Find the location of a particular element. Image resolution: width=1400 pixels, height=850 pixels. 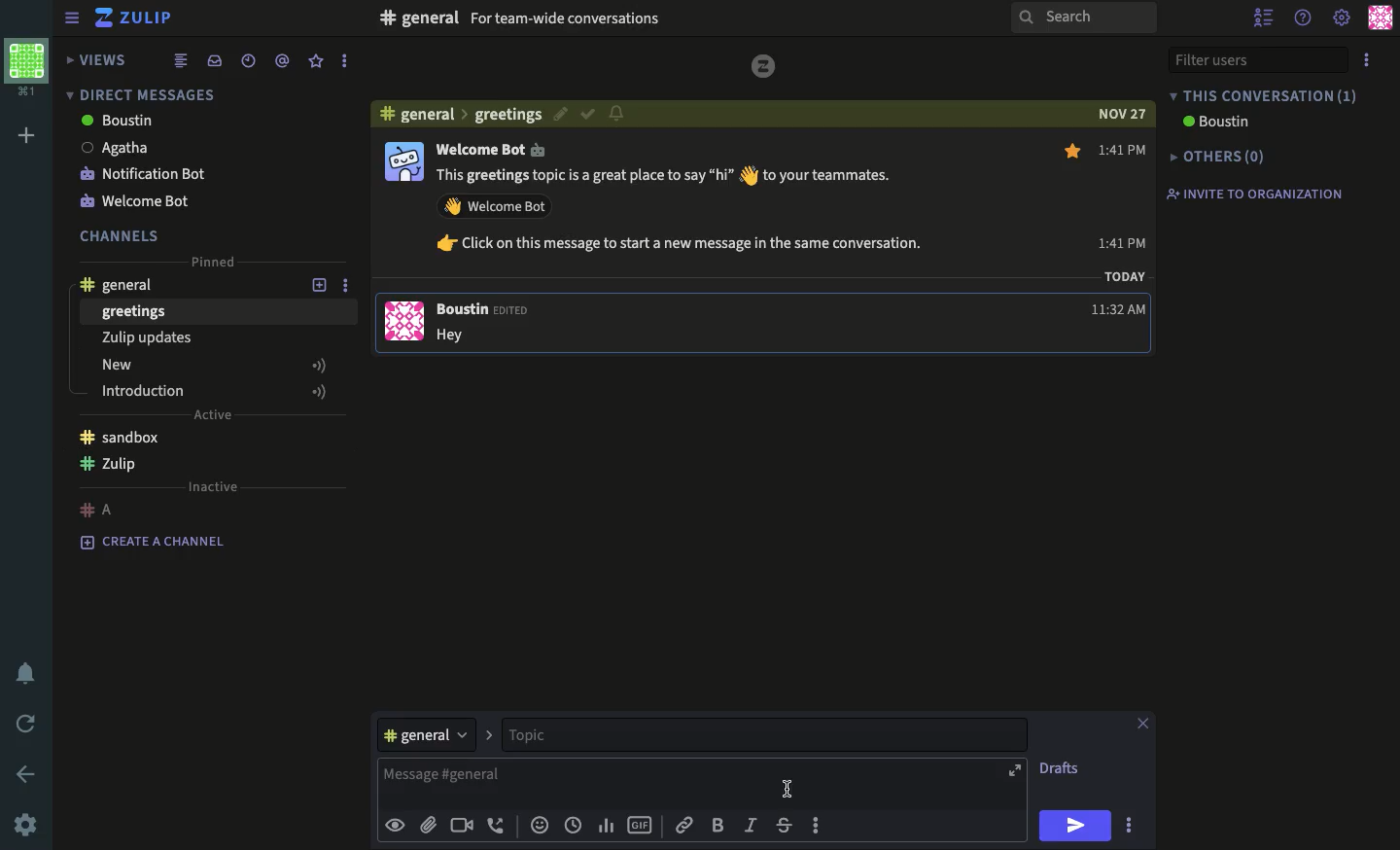

greeting is located at coordinates (508, 116).